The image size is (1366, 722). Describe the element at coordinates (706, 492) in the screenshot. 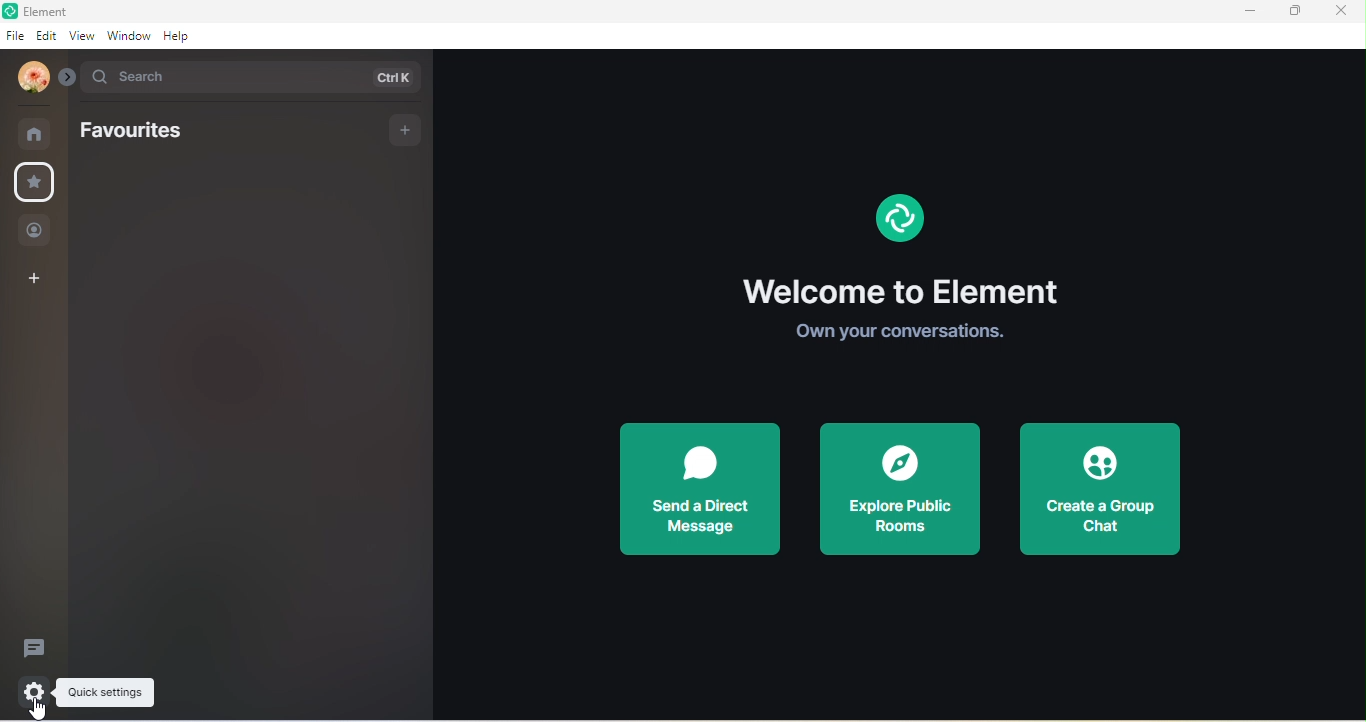

I see `send a direct message` at that location.